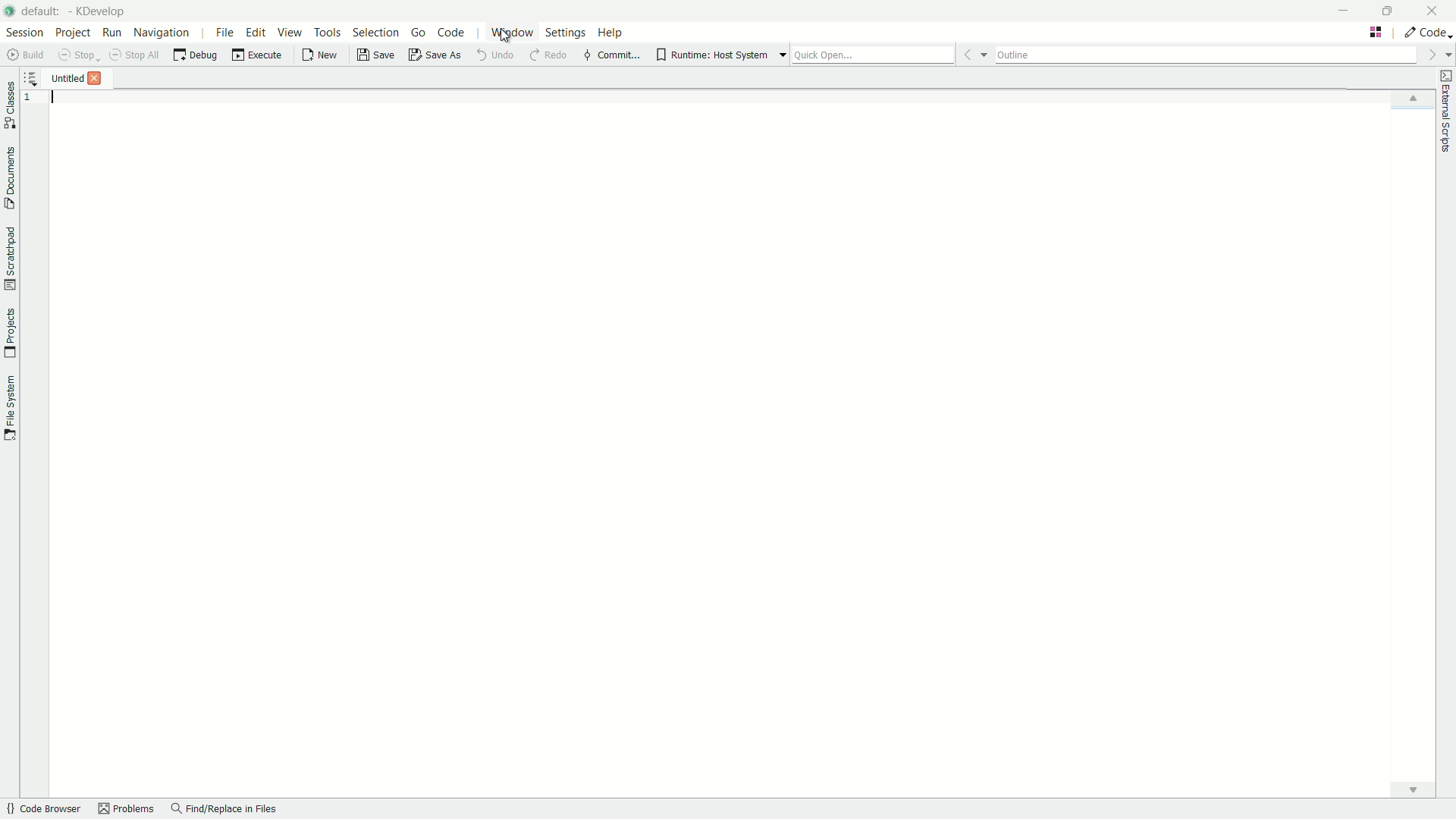  What do you see at coordinates (375, 33) in the screenshot?
I see `selection menu` at bounding box center [375, 33].